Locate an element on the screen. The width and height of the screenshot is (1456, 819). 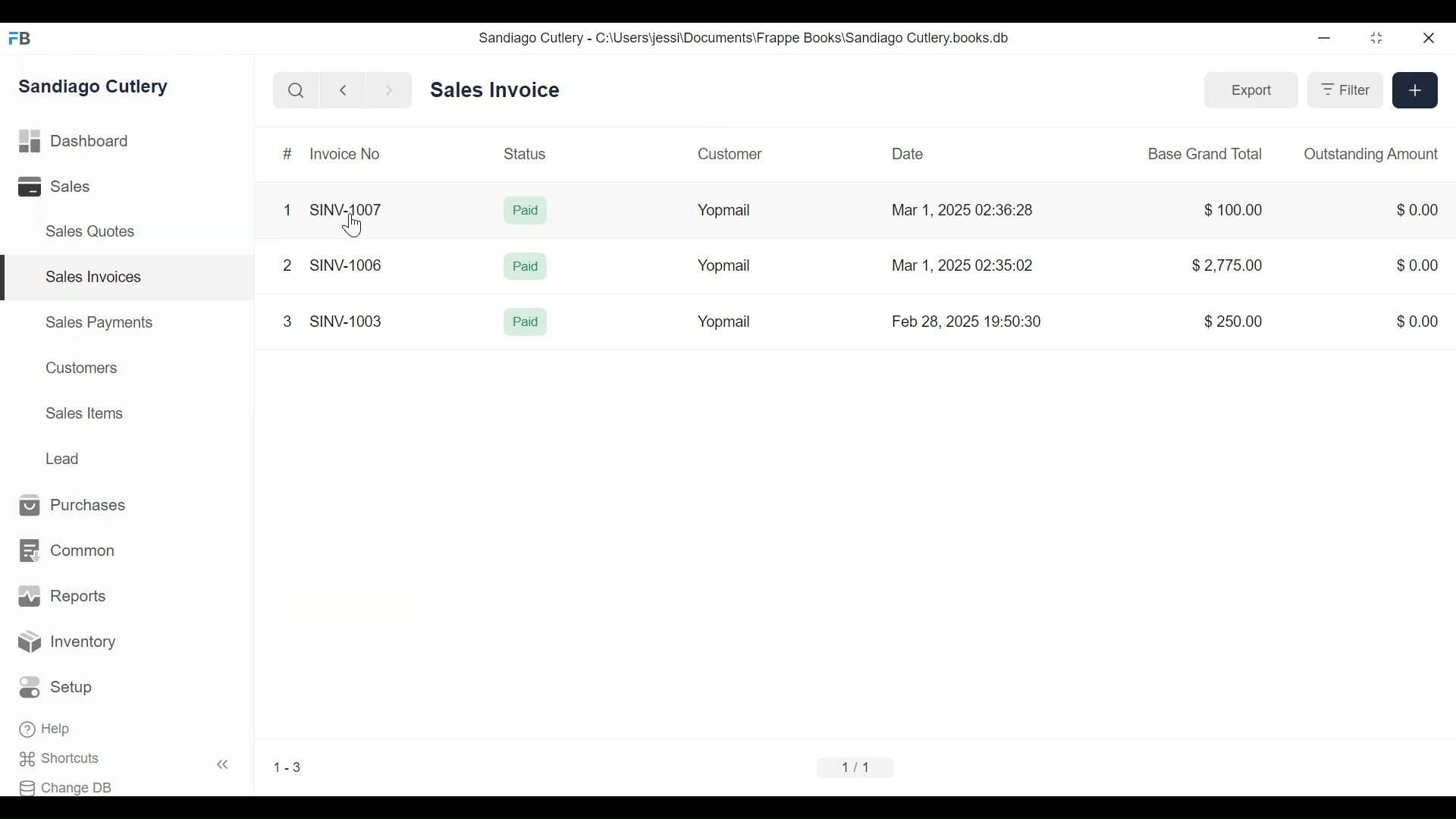
Shortcuts is located at coordinates (58, 758).